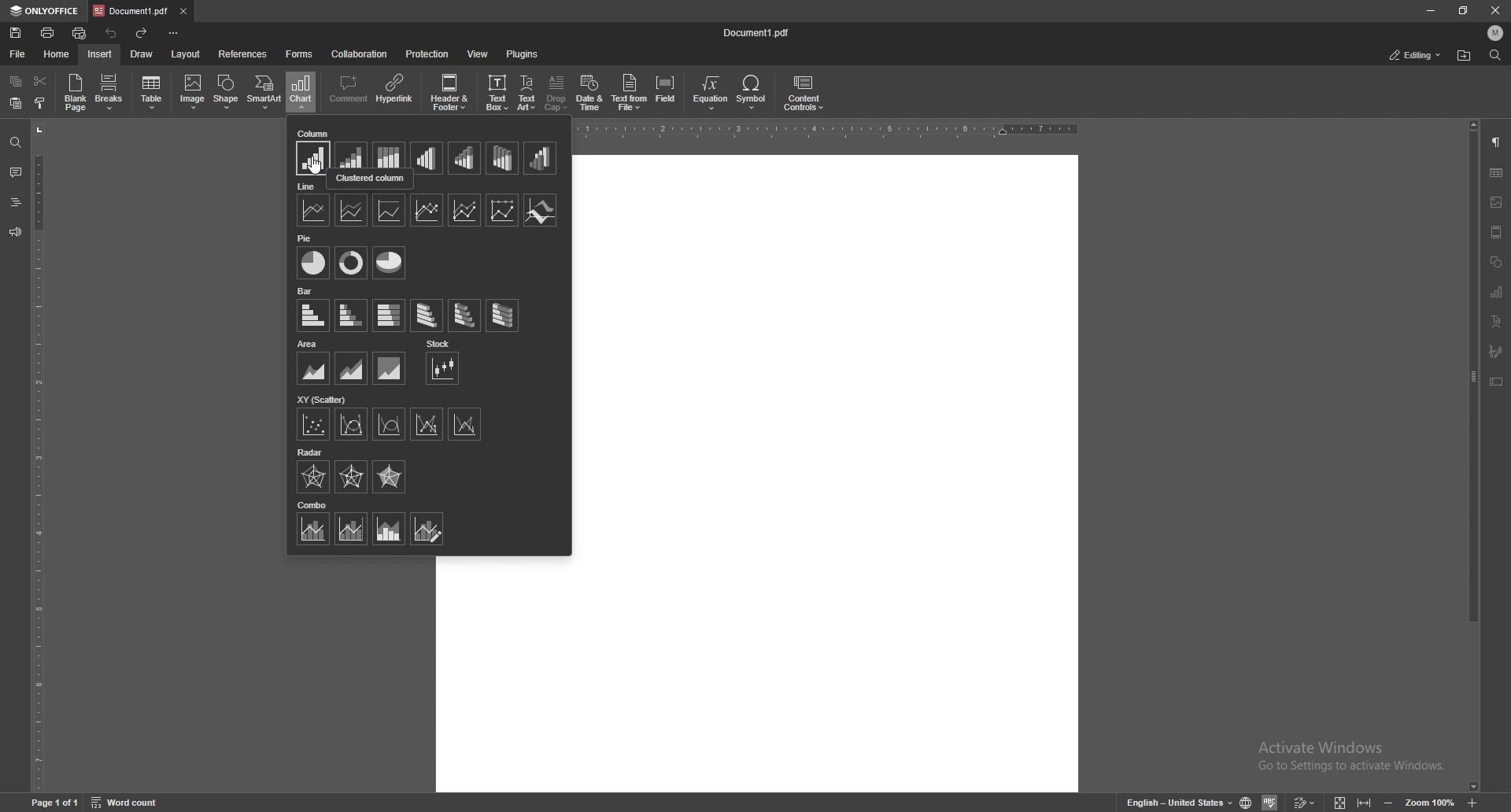 The height and width of the screenshot is (812, 1511). What do you see at coordinates (14, 201) in the screenshot?
I see `headers` at bounding box center [14, 201].